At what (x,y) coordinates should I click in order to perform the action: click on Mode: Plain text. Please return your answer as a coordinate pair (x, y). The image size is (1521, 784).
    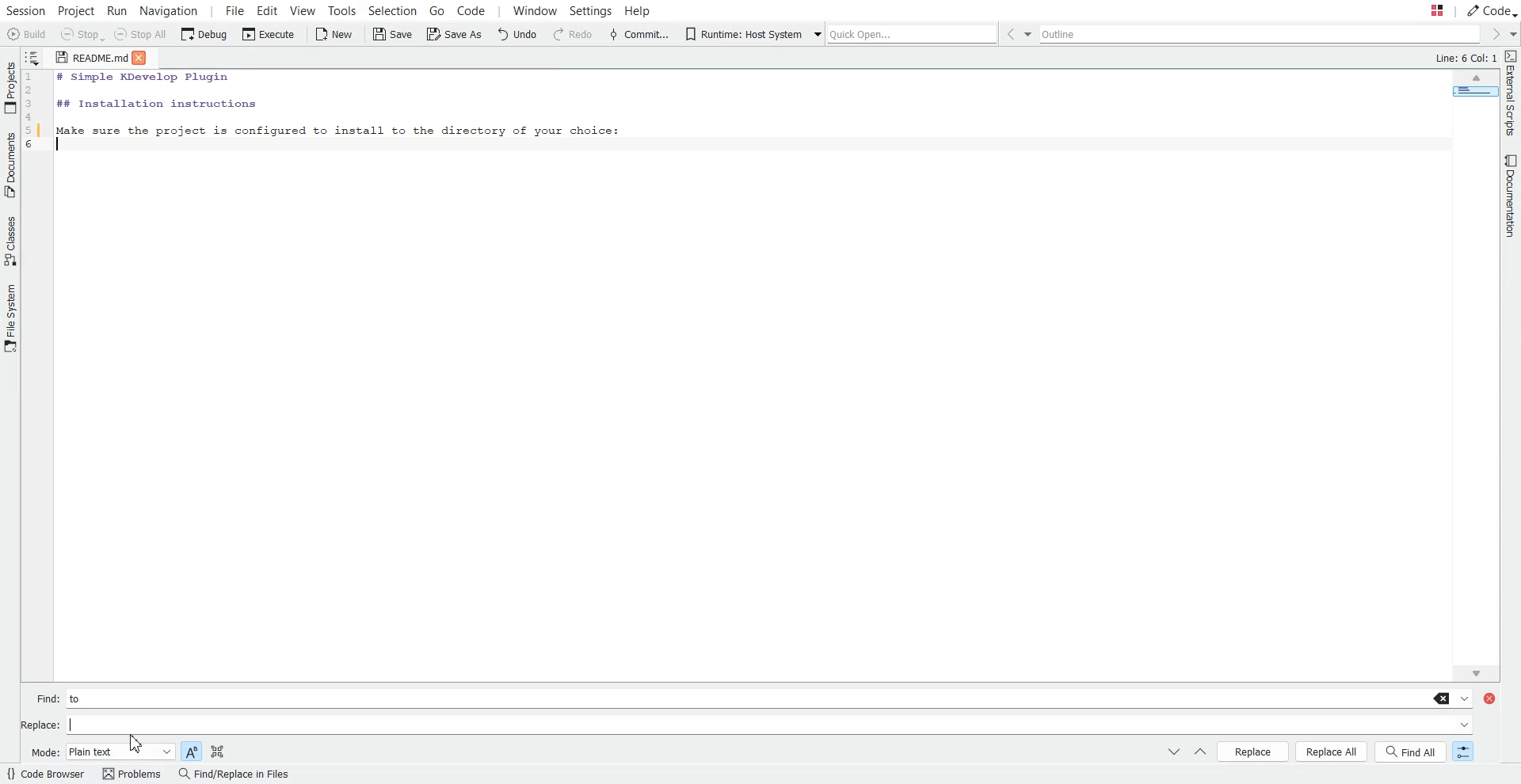
    Looking at the image, I should click on (101, 752).